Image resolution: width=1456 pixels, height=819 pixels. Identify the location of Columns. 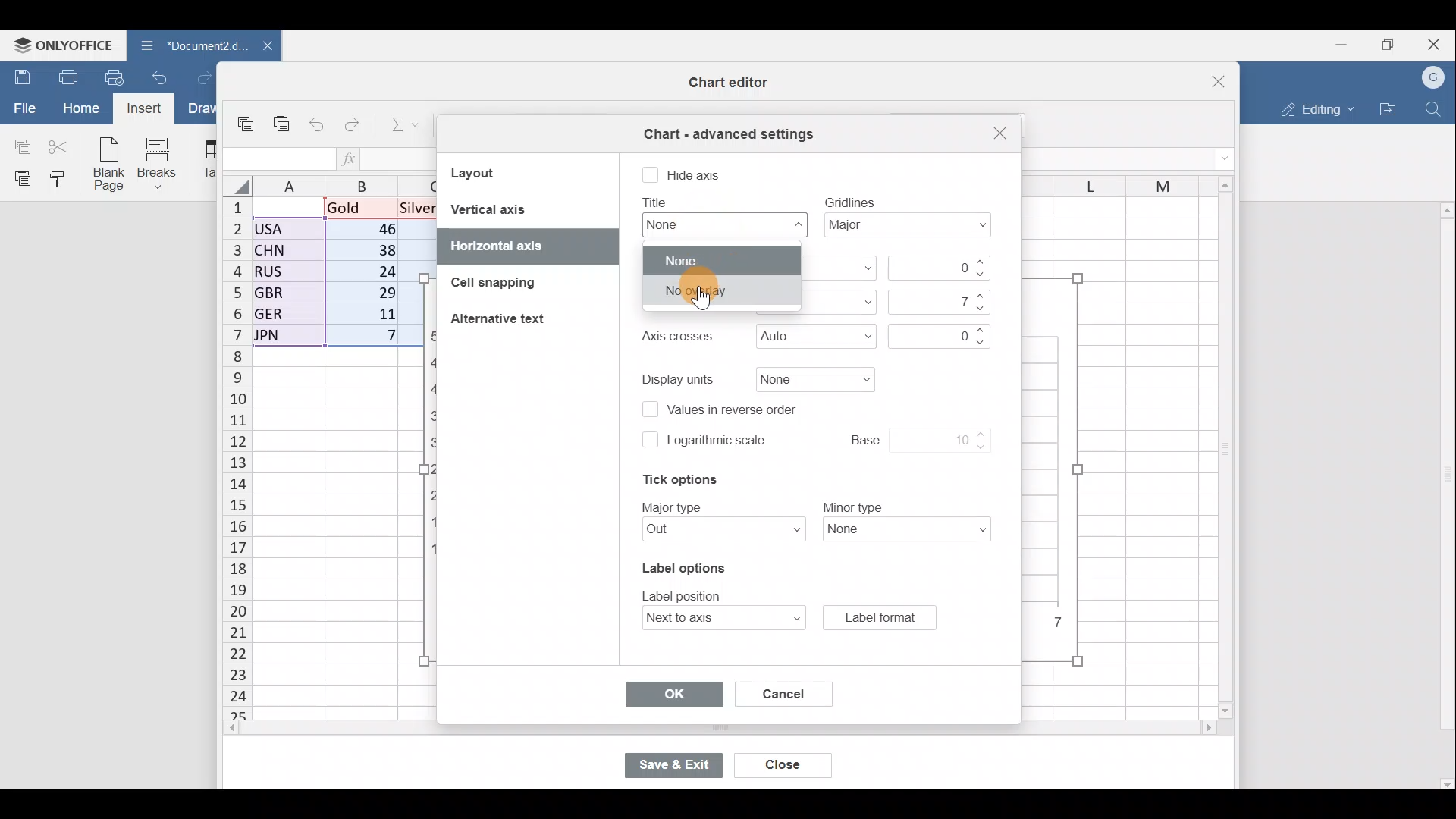
(1110, 180).